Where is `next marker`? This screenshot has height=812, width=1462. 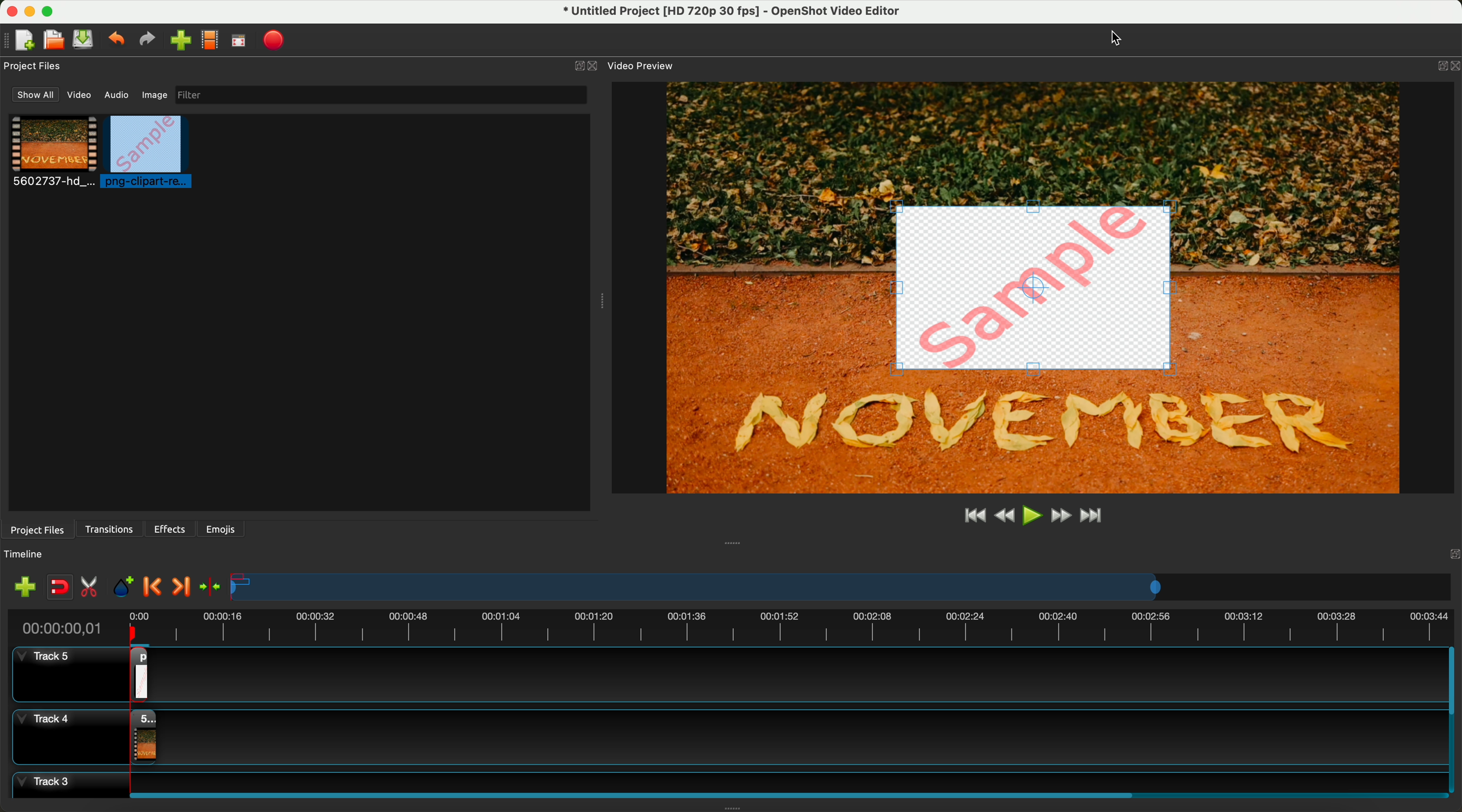
next marker is located at coordinates (180, 587).